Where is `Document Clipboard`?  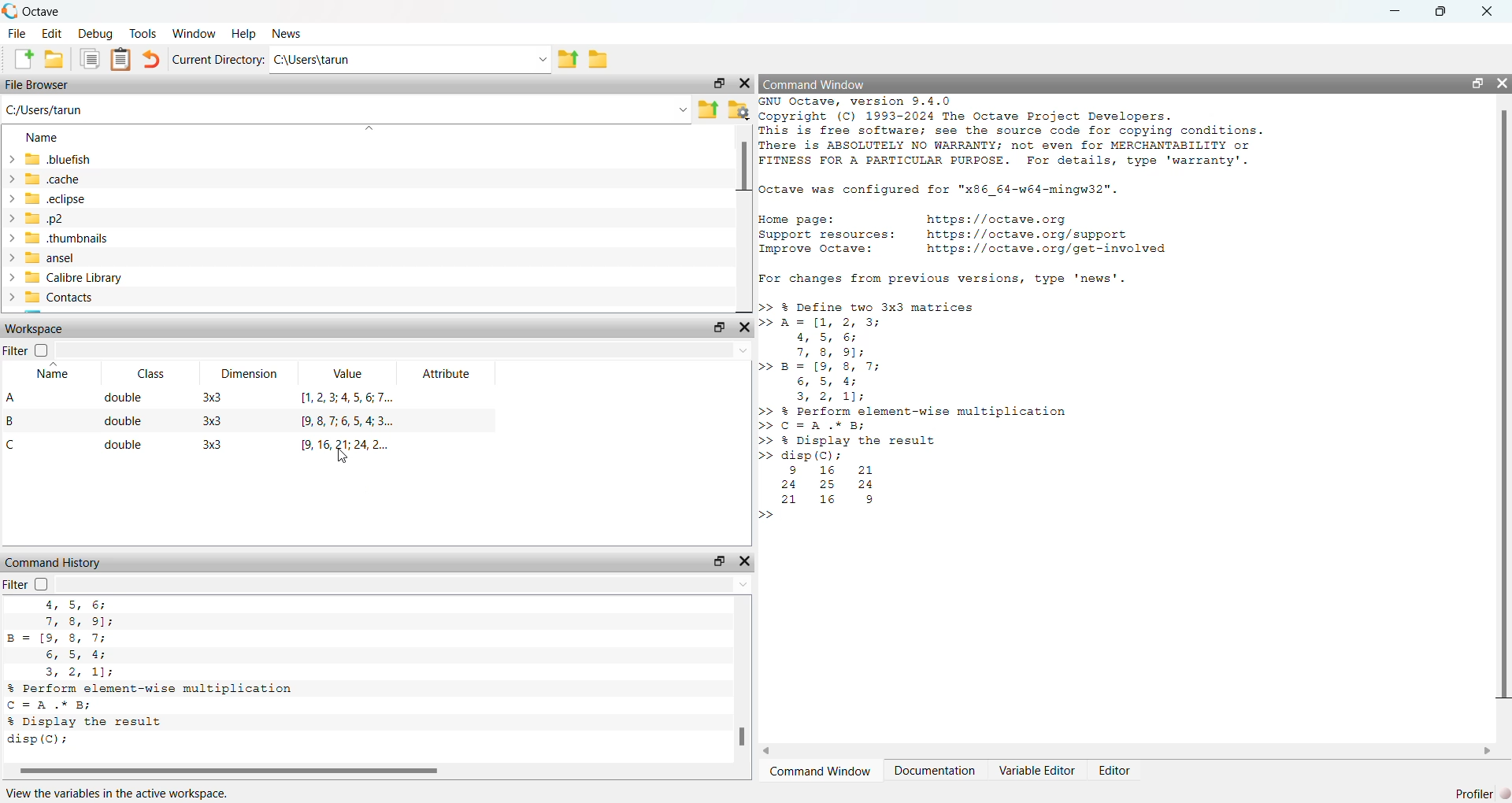
Document Clipboard is located at coordinates (122, 59).